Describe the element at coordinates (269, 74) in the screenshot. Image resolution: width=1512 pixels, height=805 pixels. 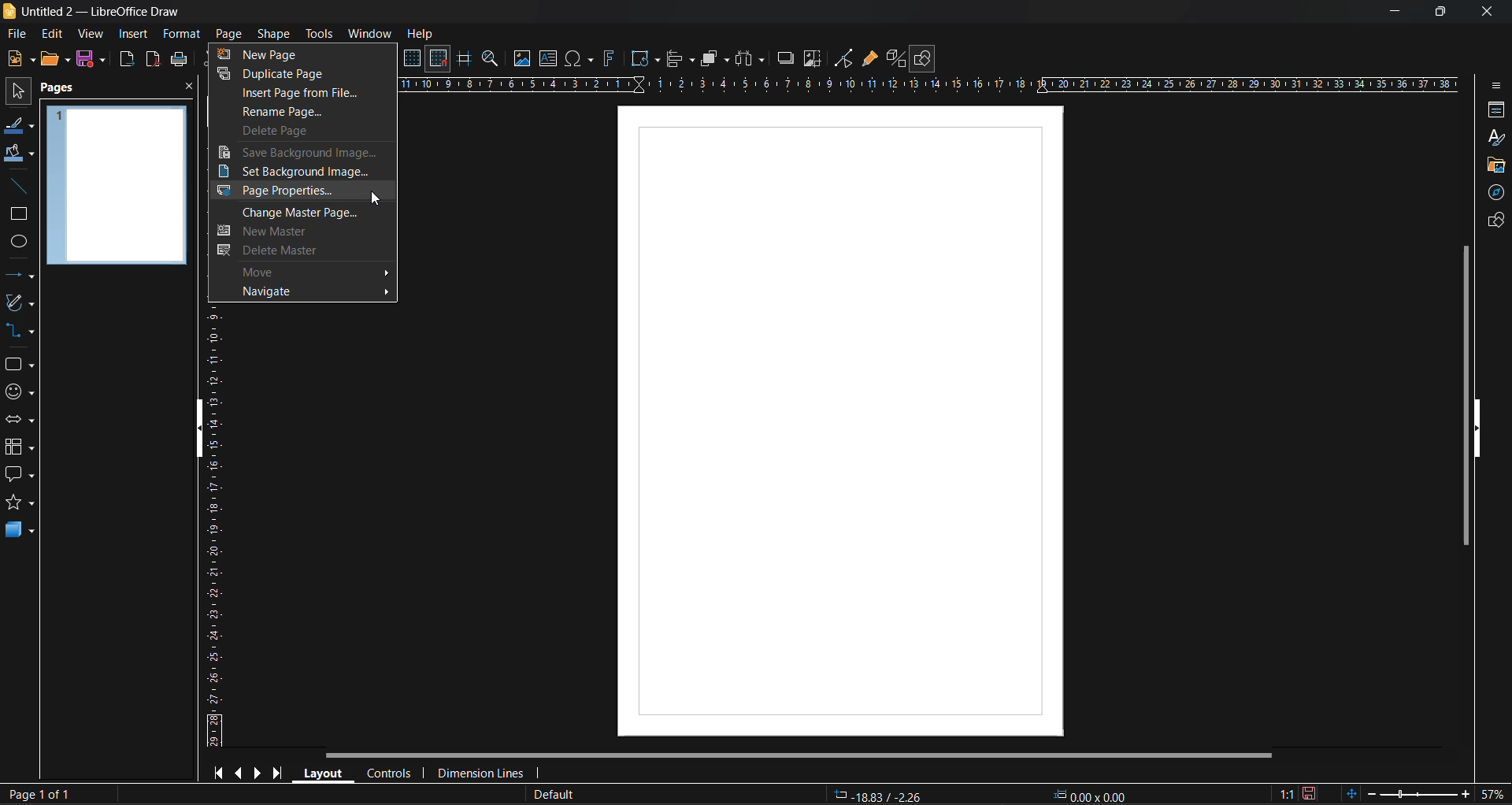
I see `duplicate page` at that location.